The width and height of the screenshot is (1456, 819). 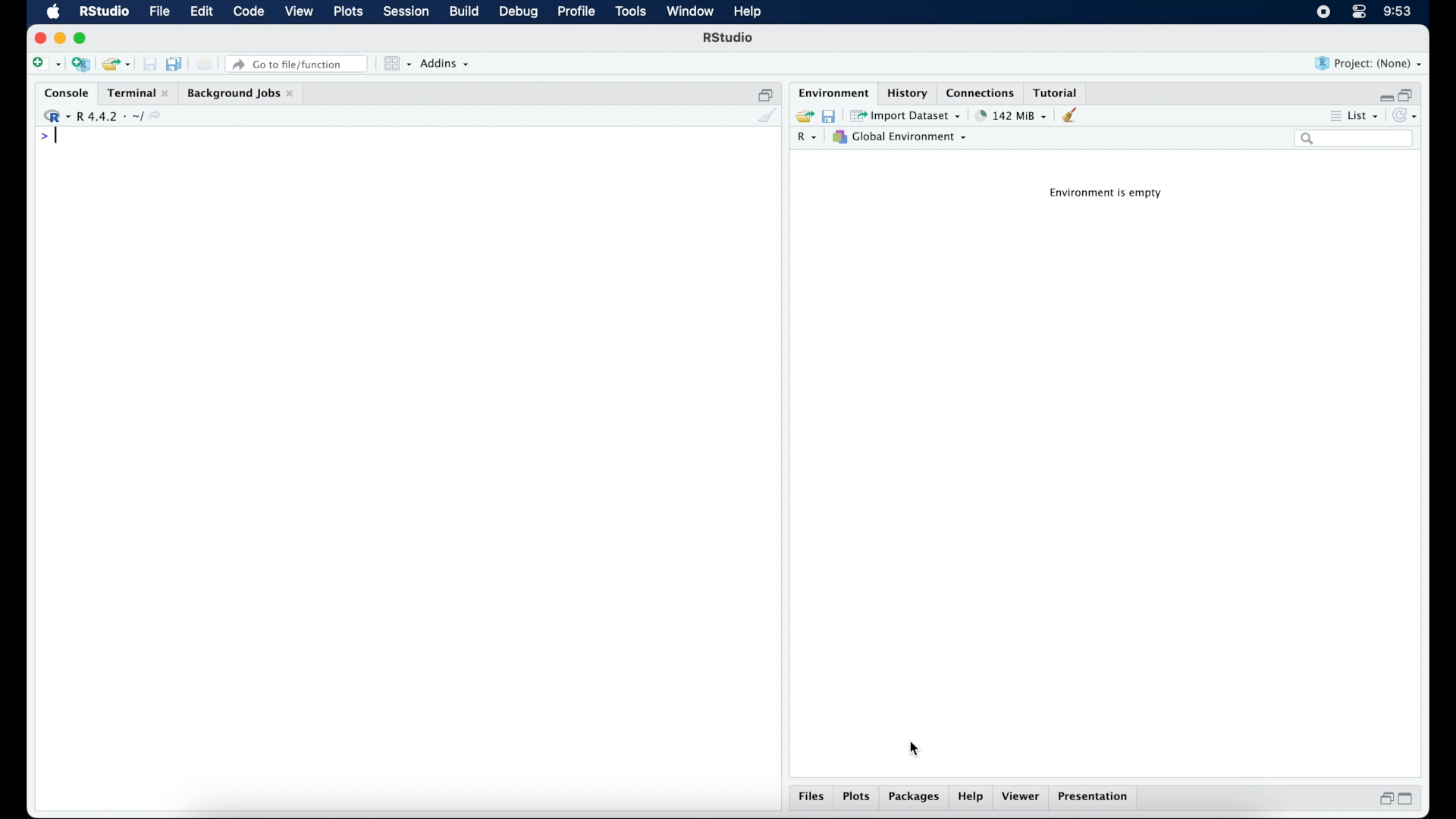 What do you see at coordinates (104, 12) in the screenshot?
I see `R studio` at bounding box center [104, 12].